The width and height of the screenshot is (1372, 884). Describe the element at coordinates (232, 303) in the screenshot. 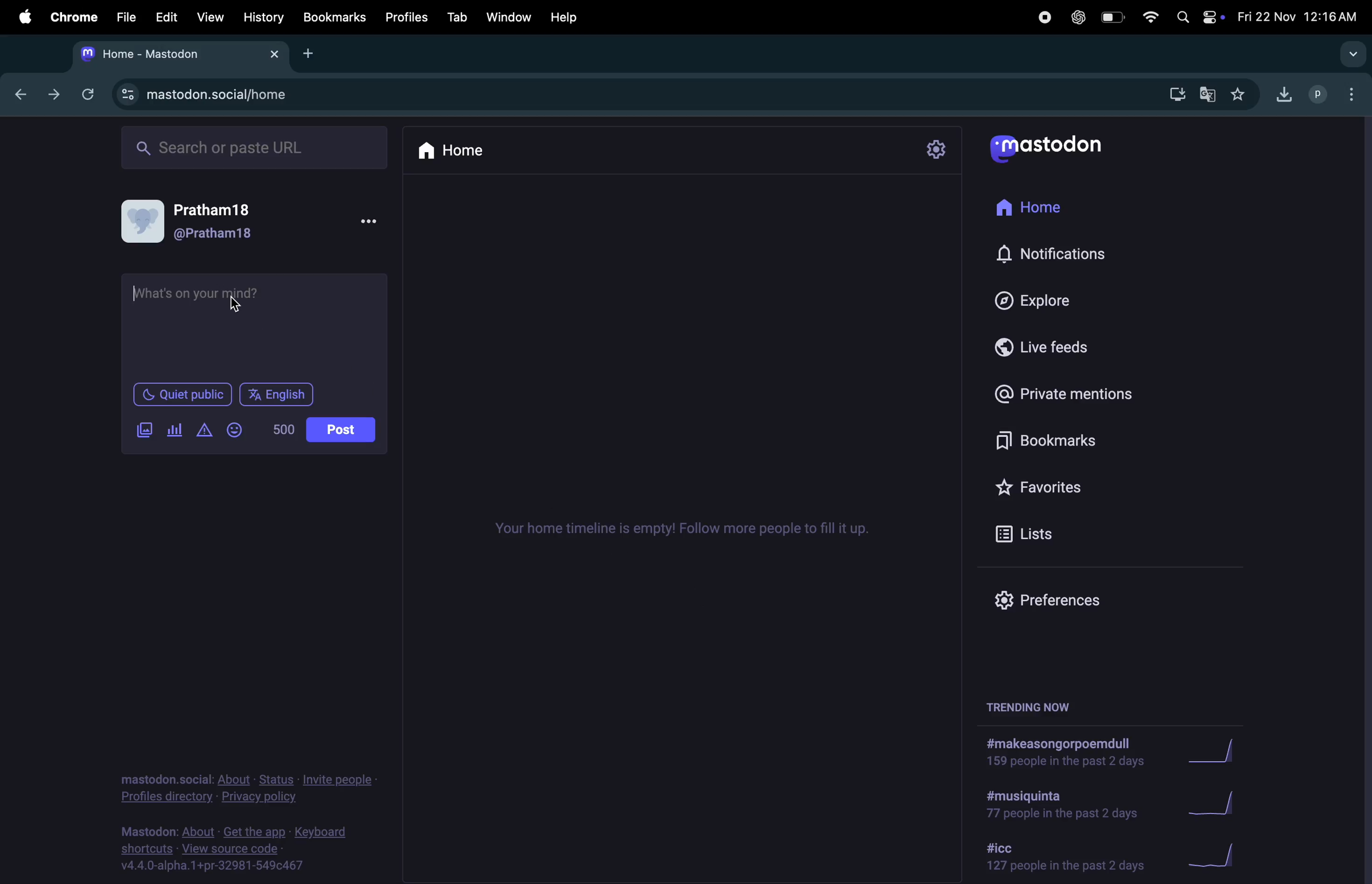

I see `cursor` at that location.